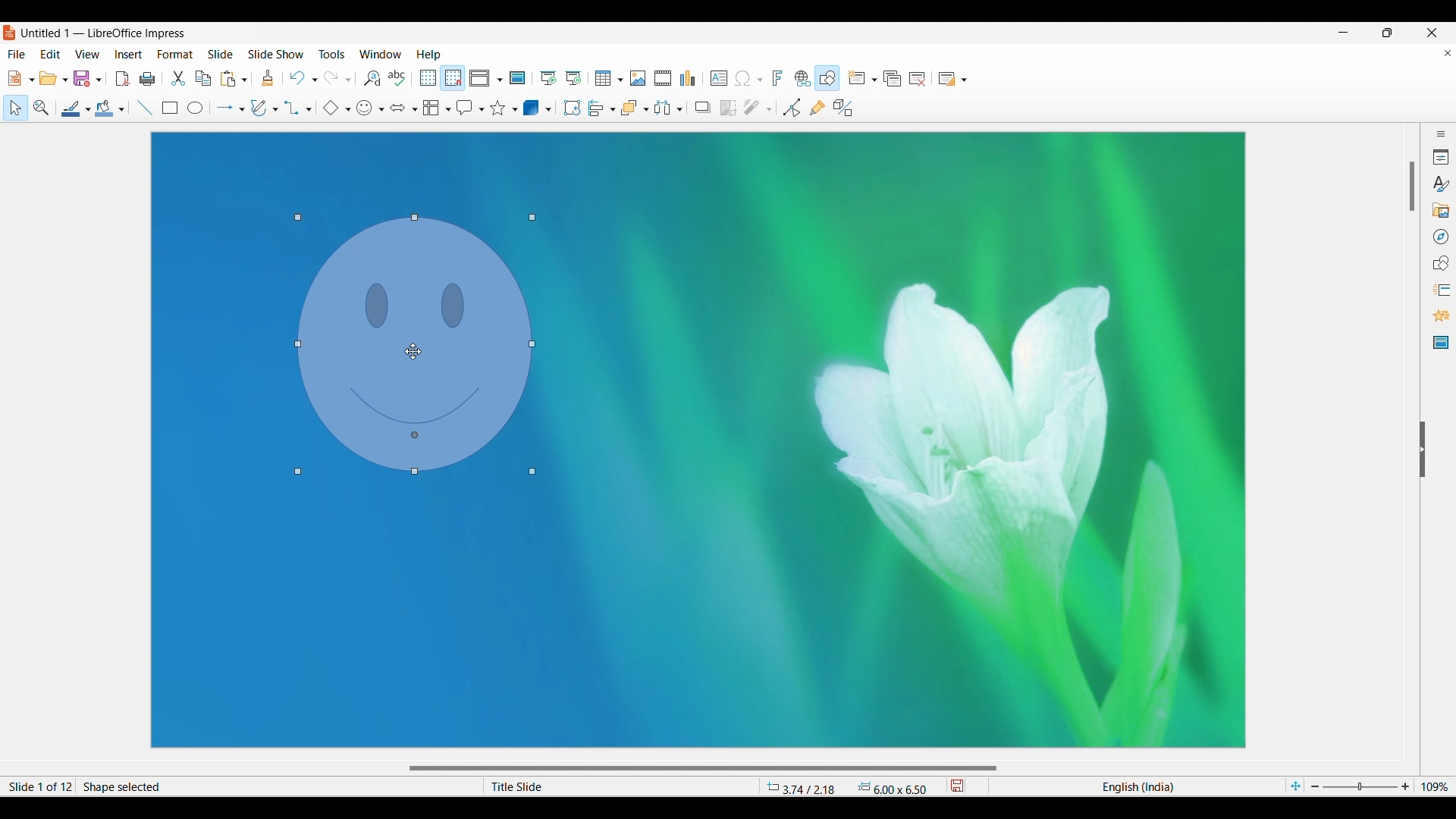 Image resolution: width=1456 pixels, height=819 pixels. Describe the element at coordinates (751, 108) in the screenshot. I see `Chosen filter` at that location.